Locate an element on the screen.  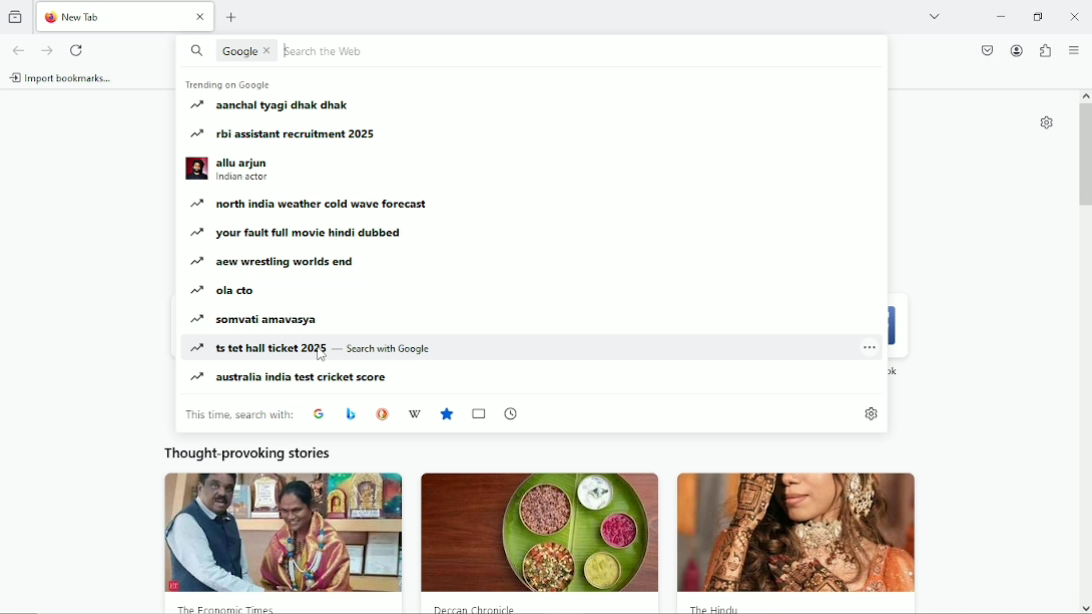
close is located at coordinates (271, 51).